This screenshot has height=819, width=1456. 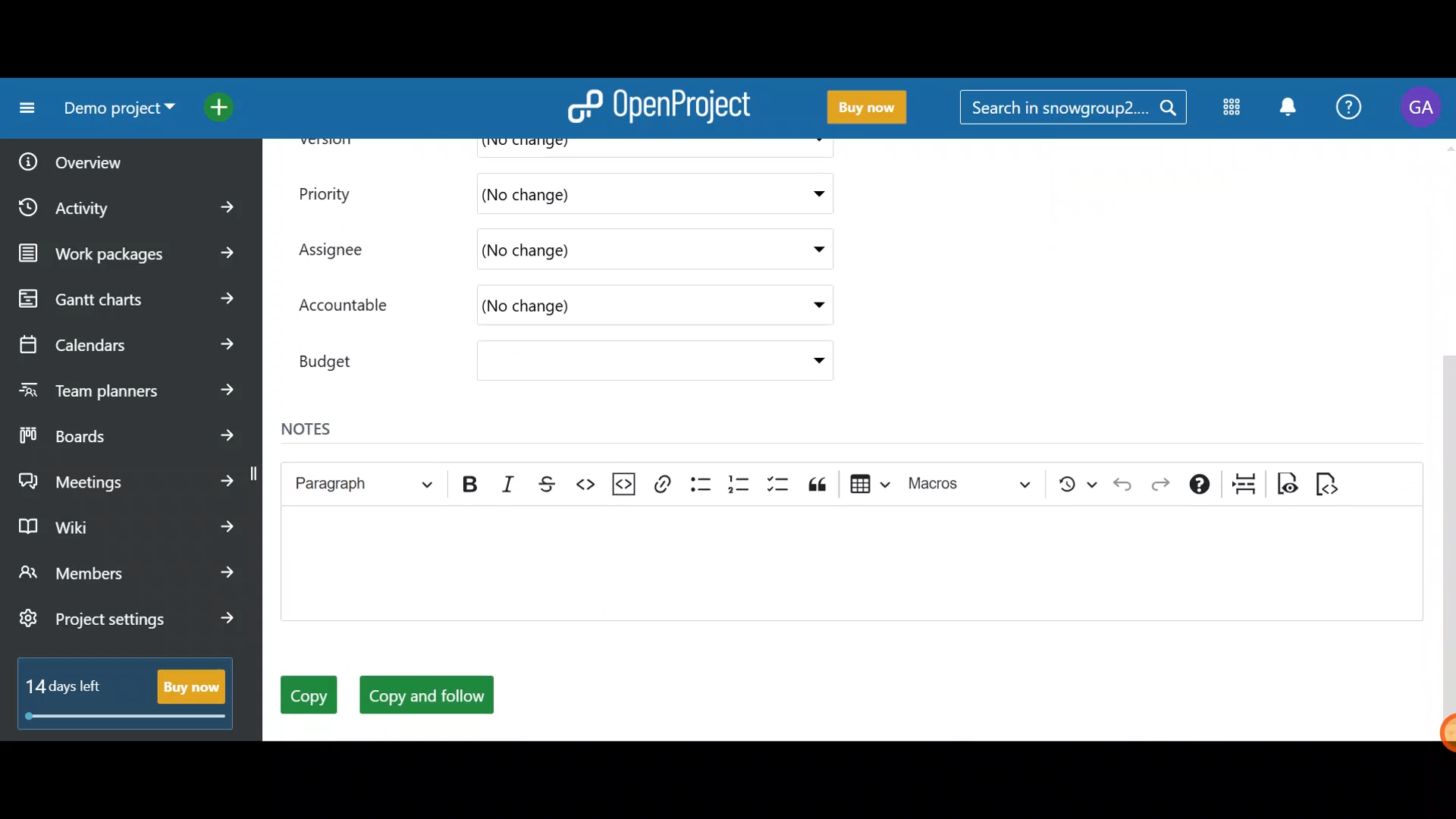 What do you see at coordinates (816, 485) in the screenshot?
I see `Block quote` at bounding box center [816, 485].